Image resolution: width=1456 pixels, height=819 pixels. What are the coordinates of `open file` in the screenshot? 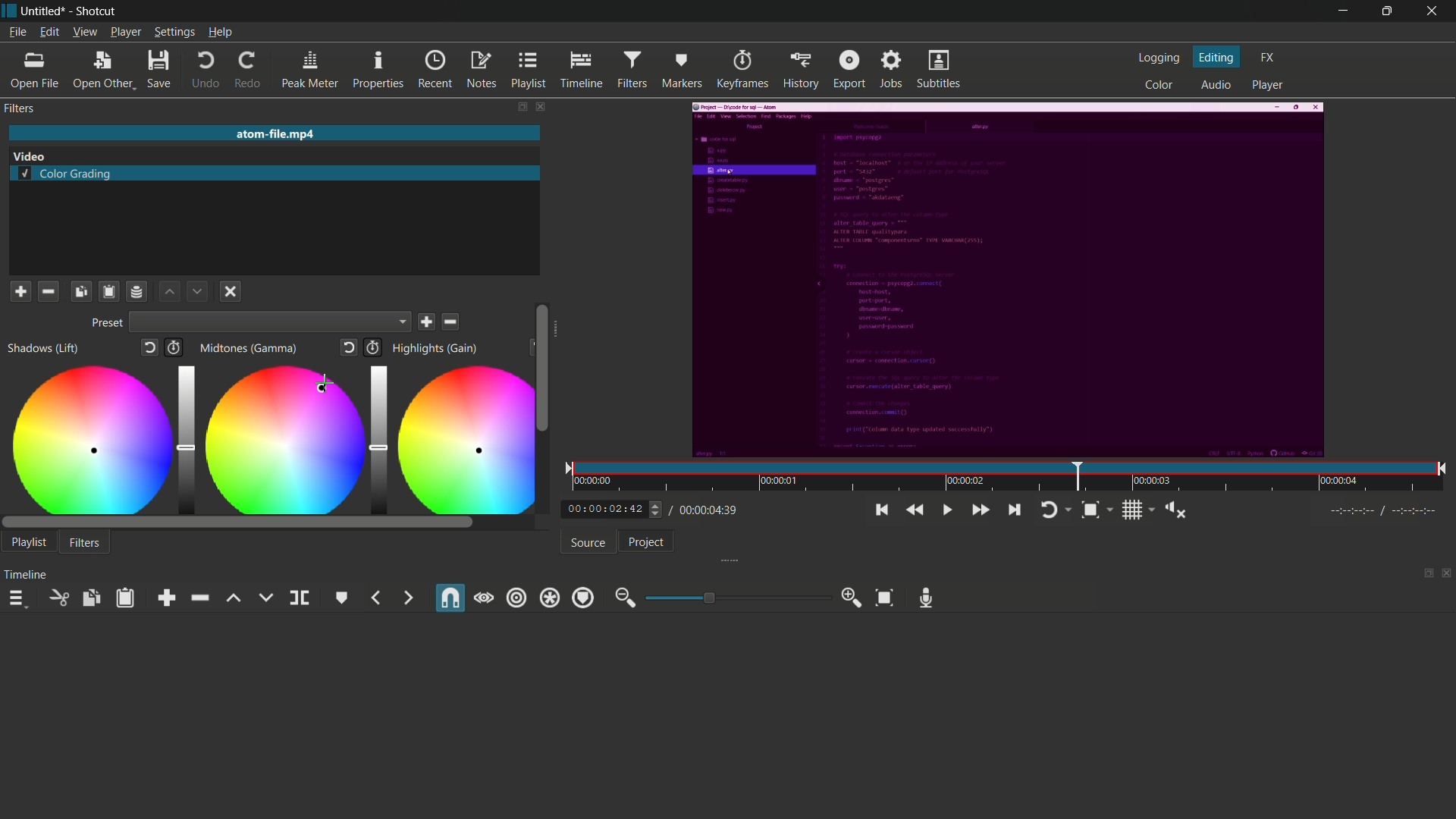 It's located at (33, 72).